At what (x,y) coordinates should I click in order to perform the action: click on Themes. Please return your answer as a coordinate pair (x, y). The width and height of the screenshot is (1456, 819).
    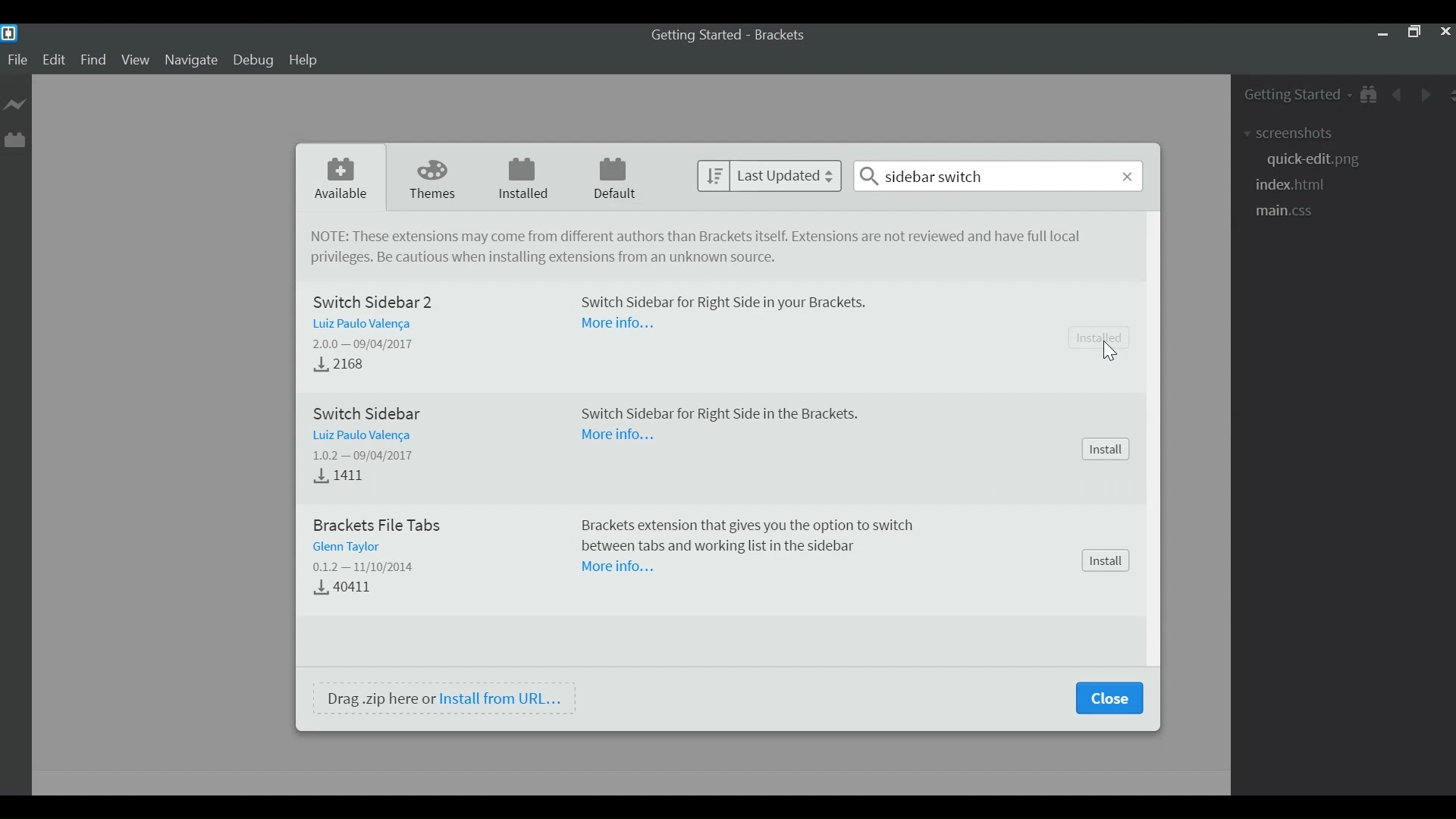
    Looking at the image, I should click on (428, 177).